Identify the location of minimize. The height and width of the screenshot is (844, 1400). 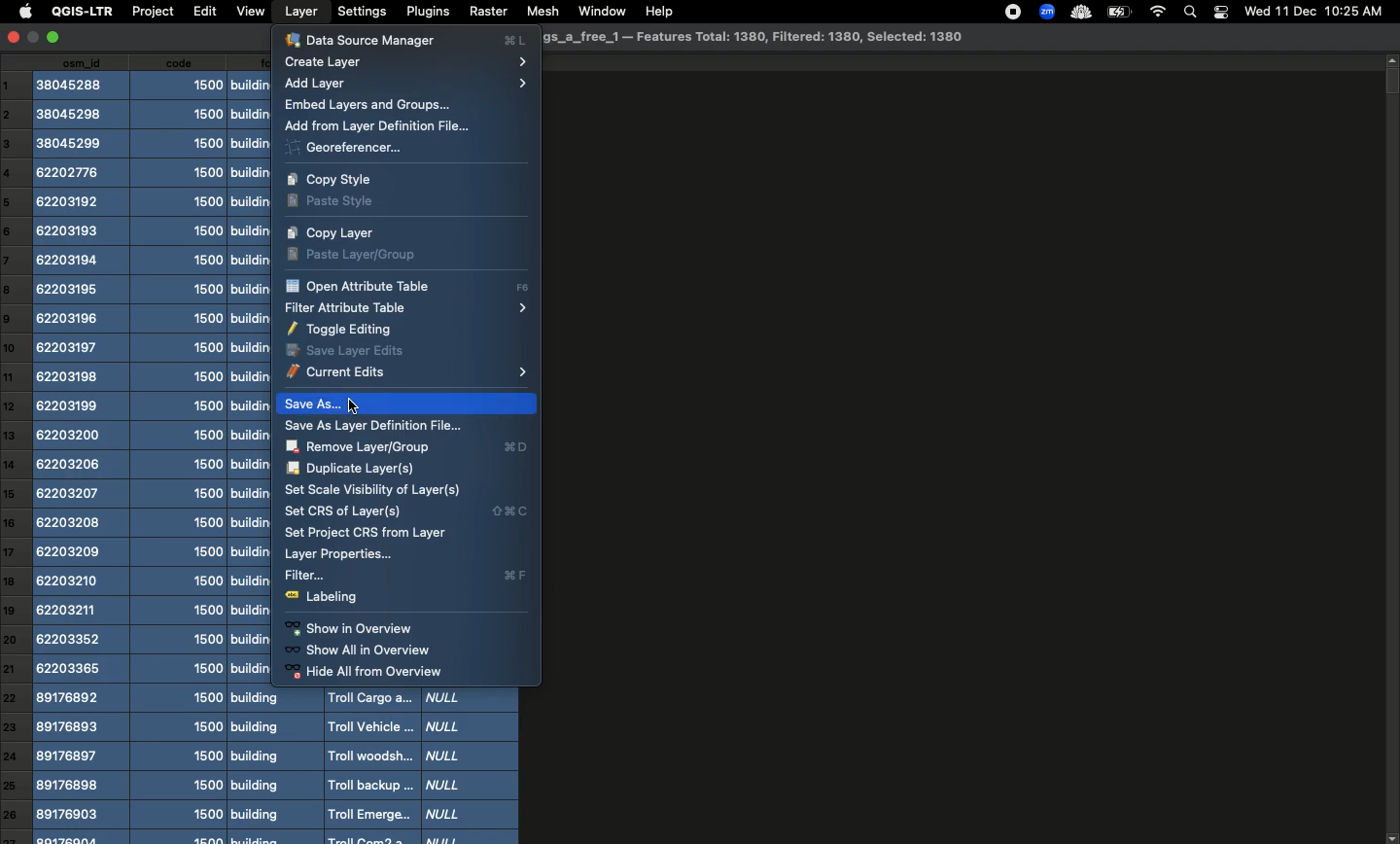
(35, 41).